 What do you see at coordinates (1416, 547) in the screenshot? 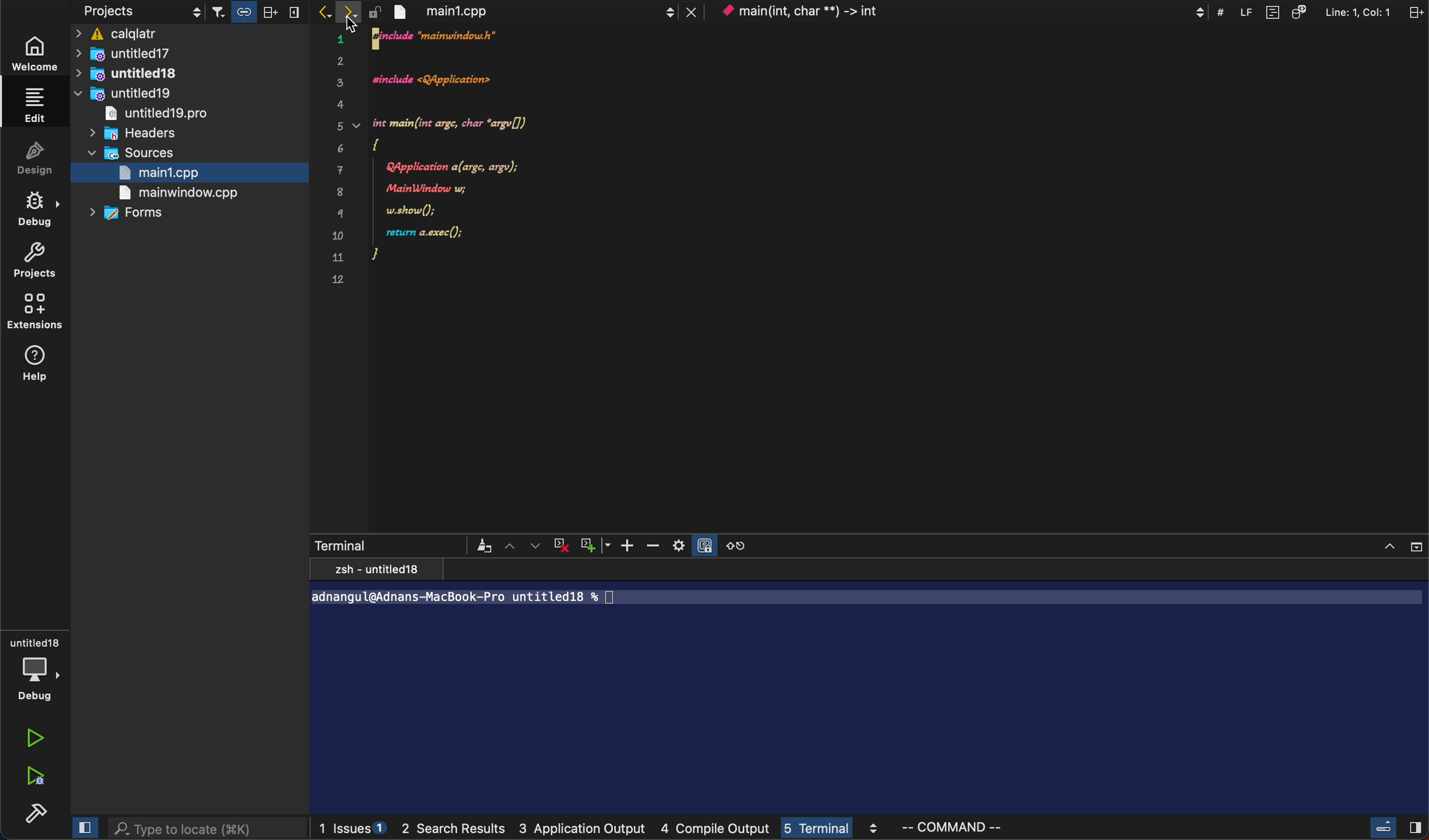
I see `Collapse` at bounding box center [1416, 547].